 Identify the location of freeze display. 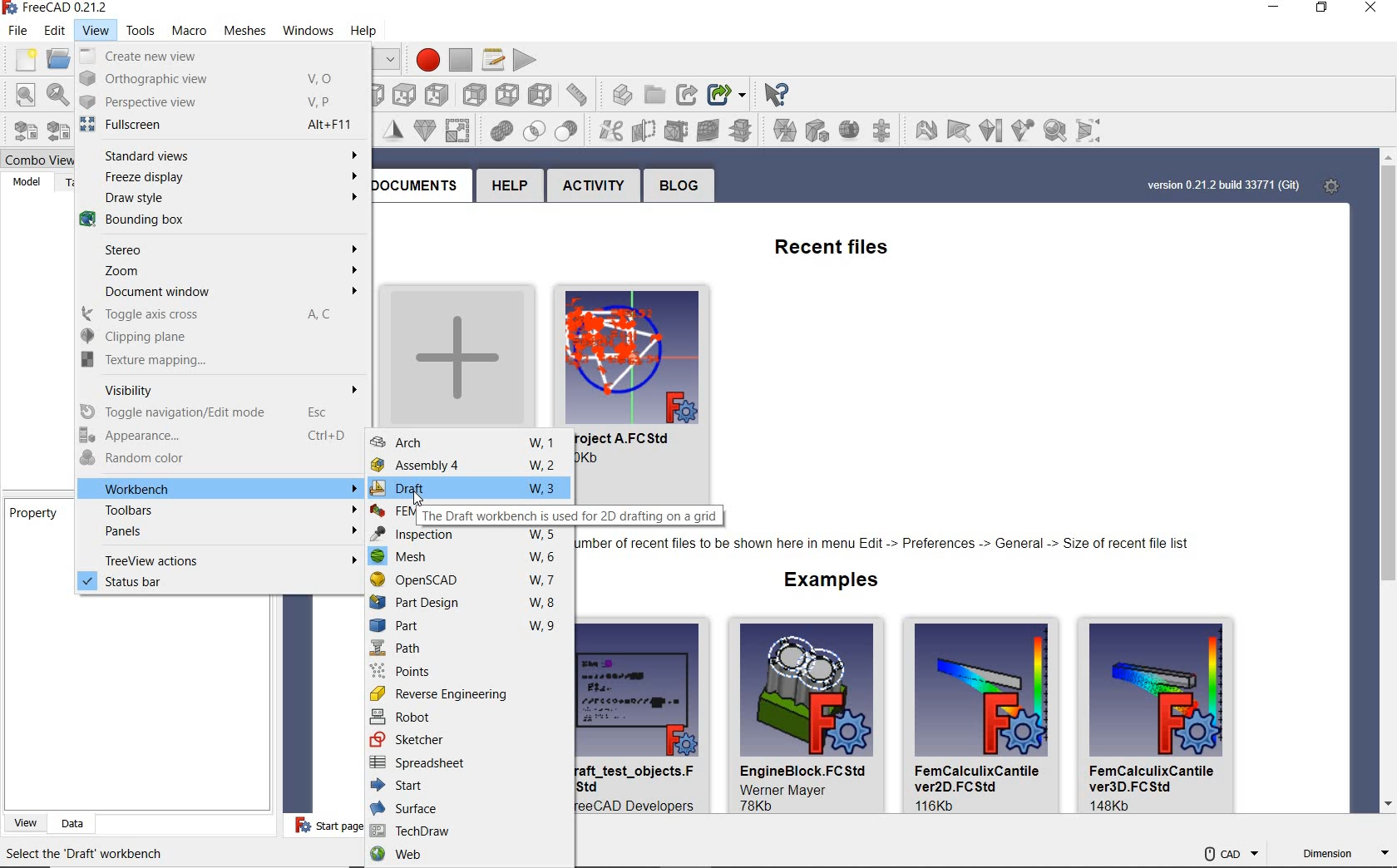
(221, 179).